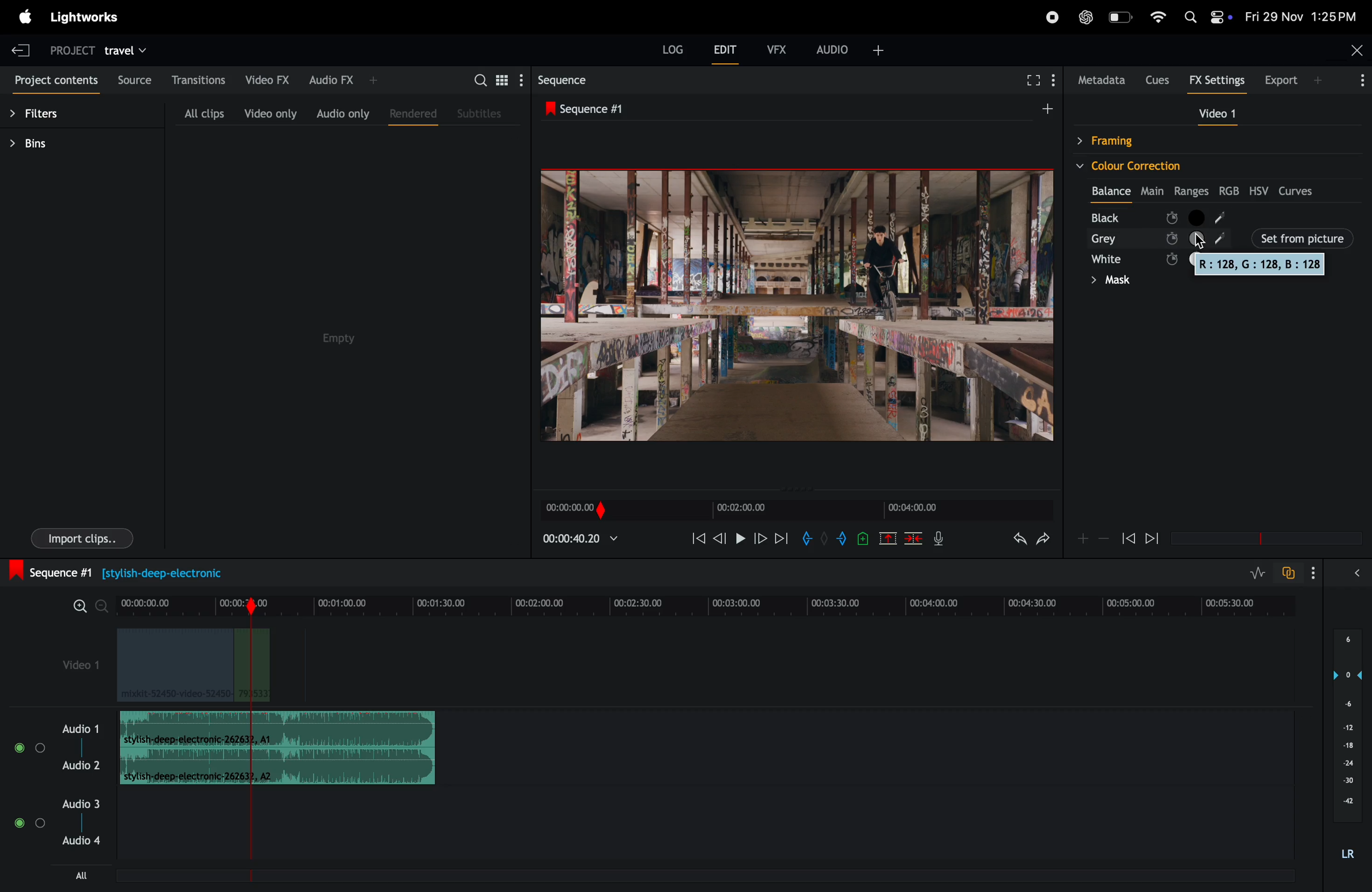 Image resolution: width=1372 pixels, height=892 pixels. Describe the element at coordinates (18, 748) in the screenshot. I see `toggle` at that location.